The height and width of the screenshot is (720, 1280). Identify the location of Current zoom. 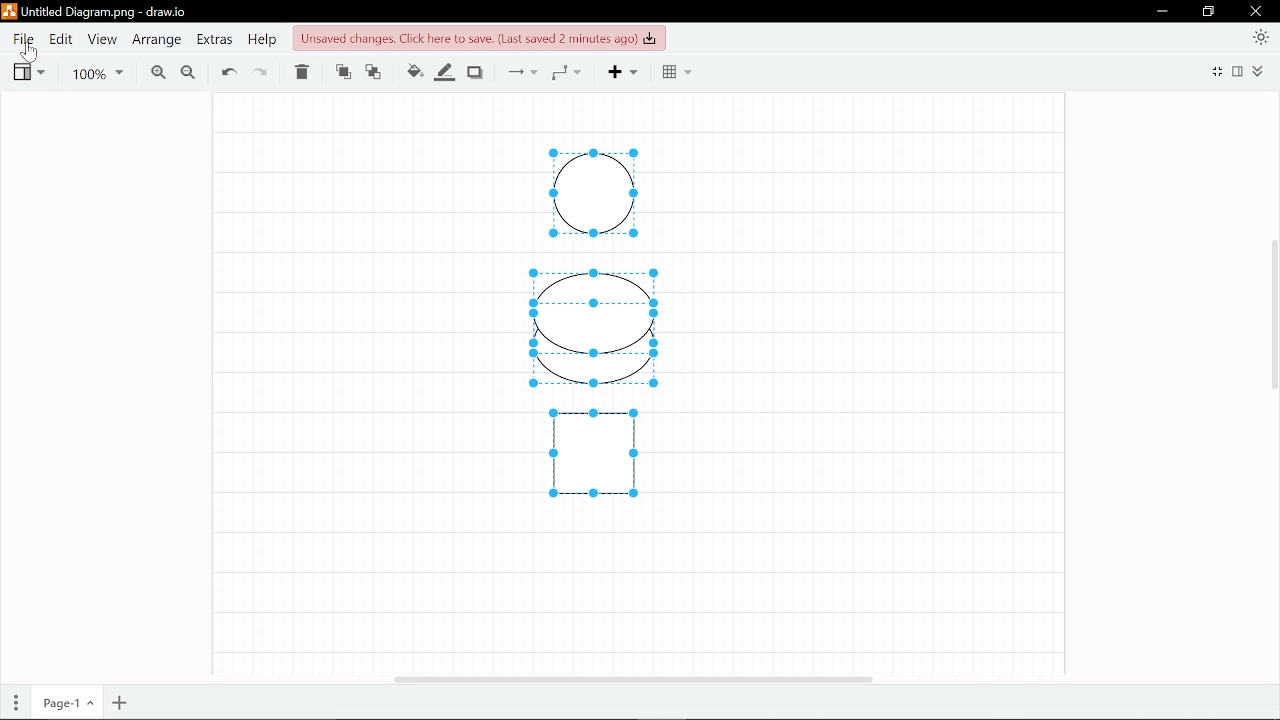
(96, 75).